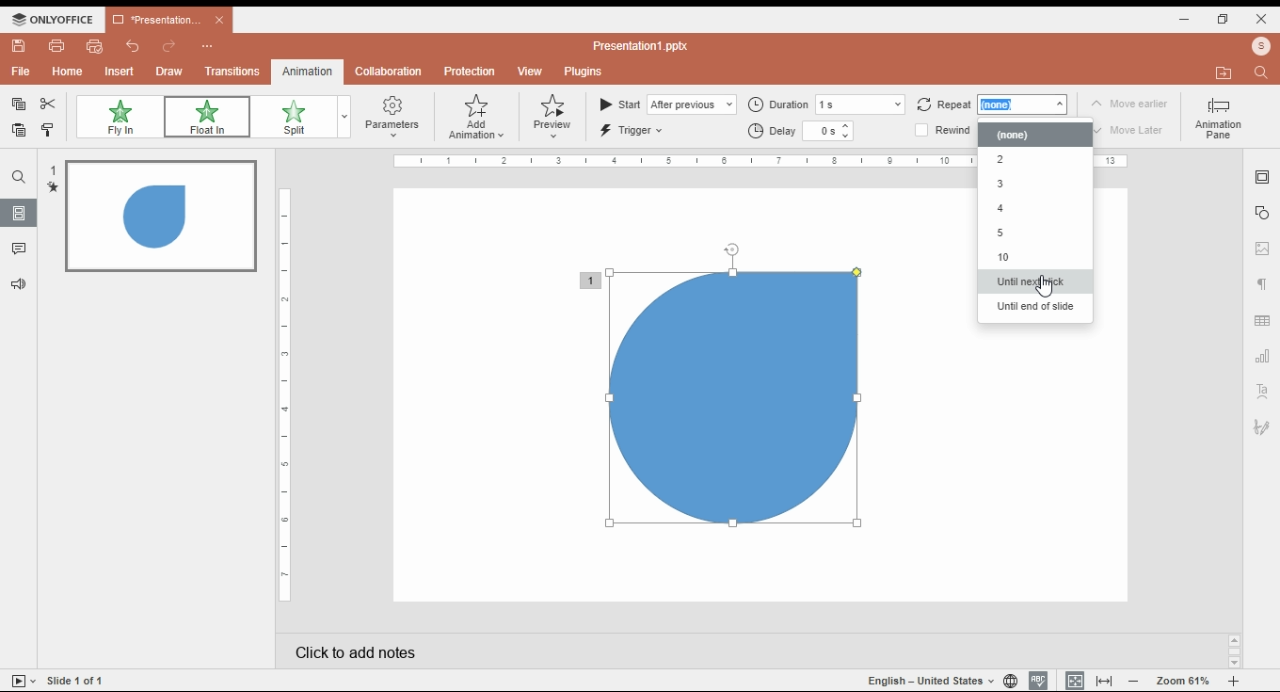 Image resolution: width=1280 pixels, height=692 pixels. I want to click on slides, so click(21, 213).